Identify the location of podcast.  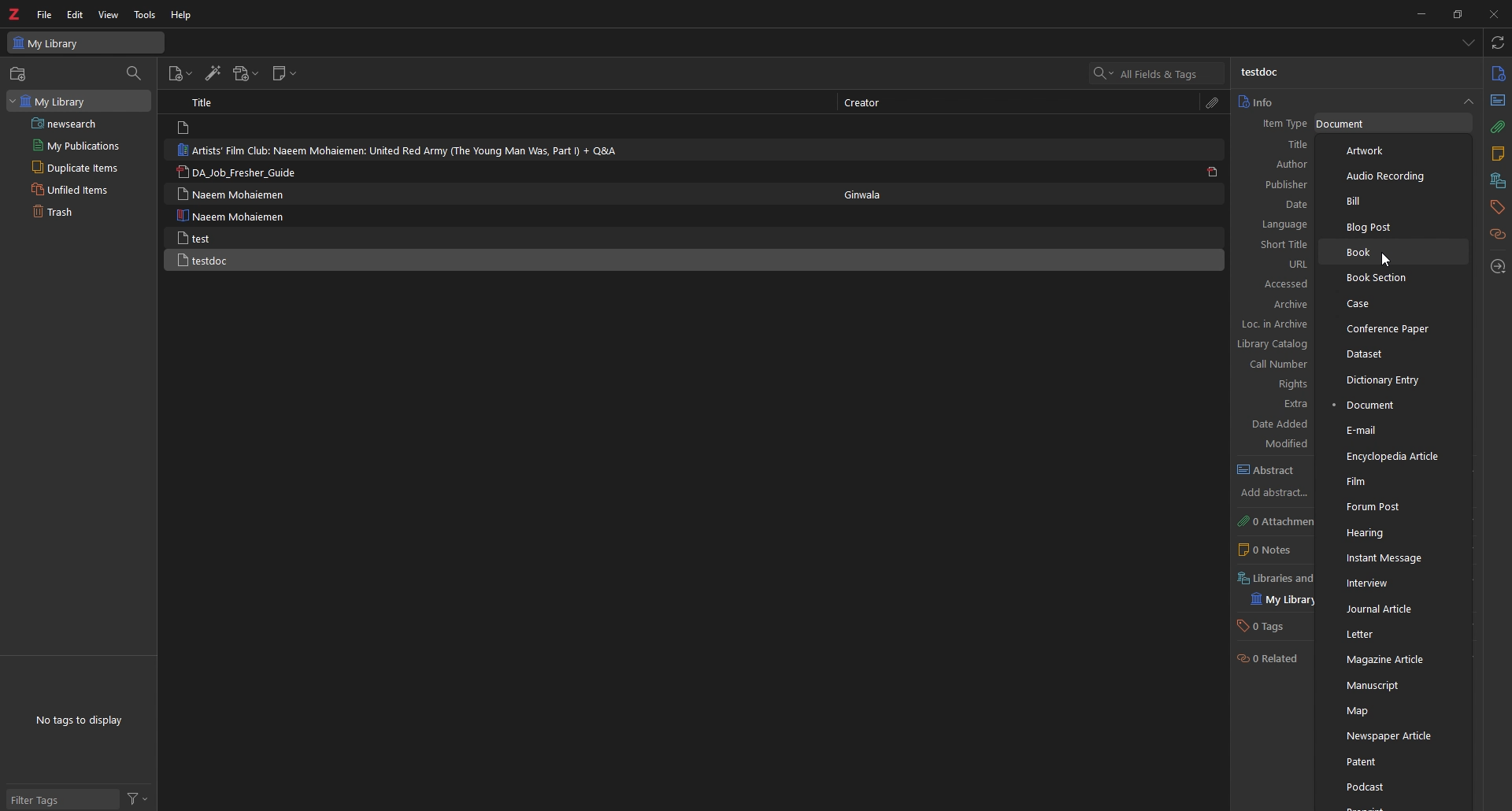
(1392, 785).